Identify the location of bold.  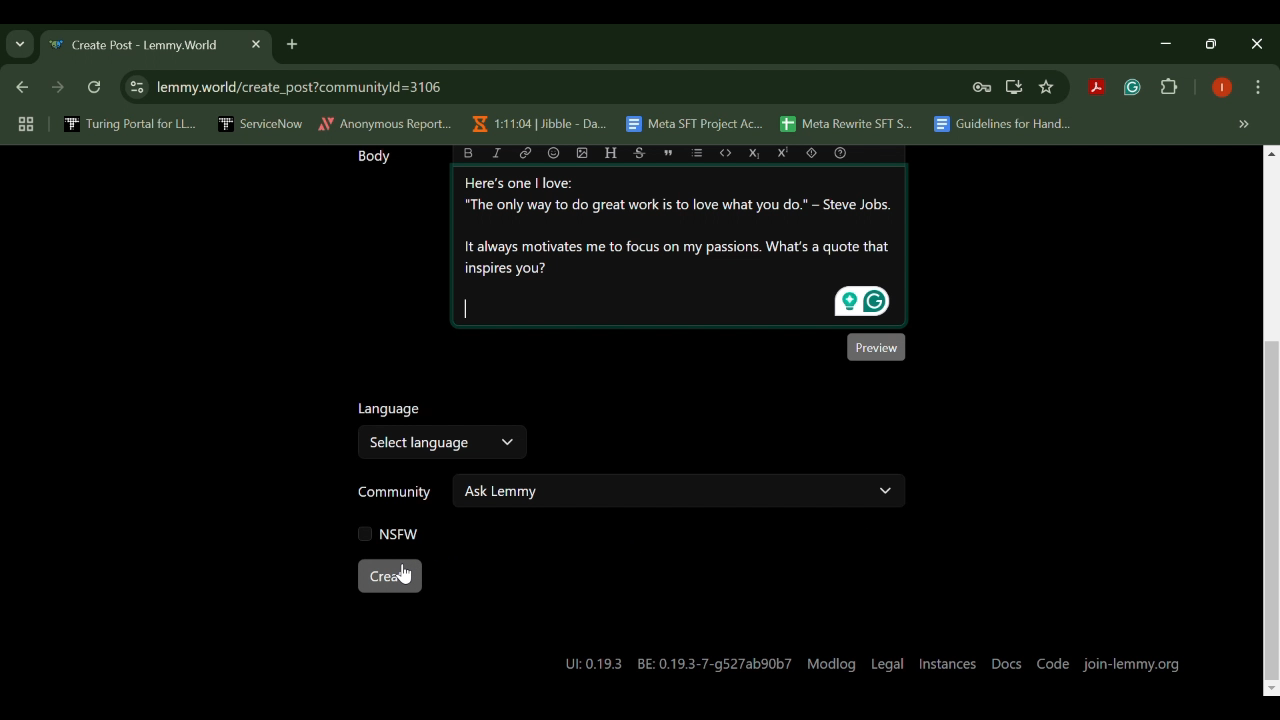
(469, 153).